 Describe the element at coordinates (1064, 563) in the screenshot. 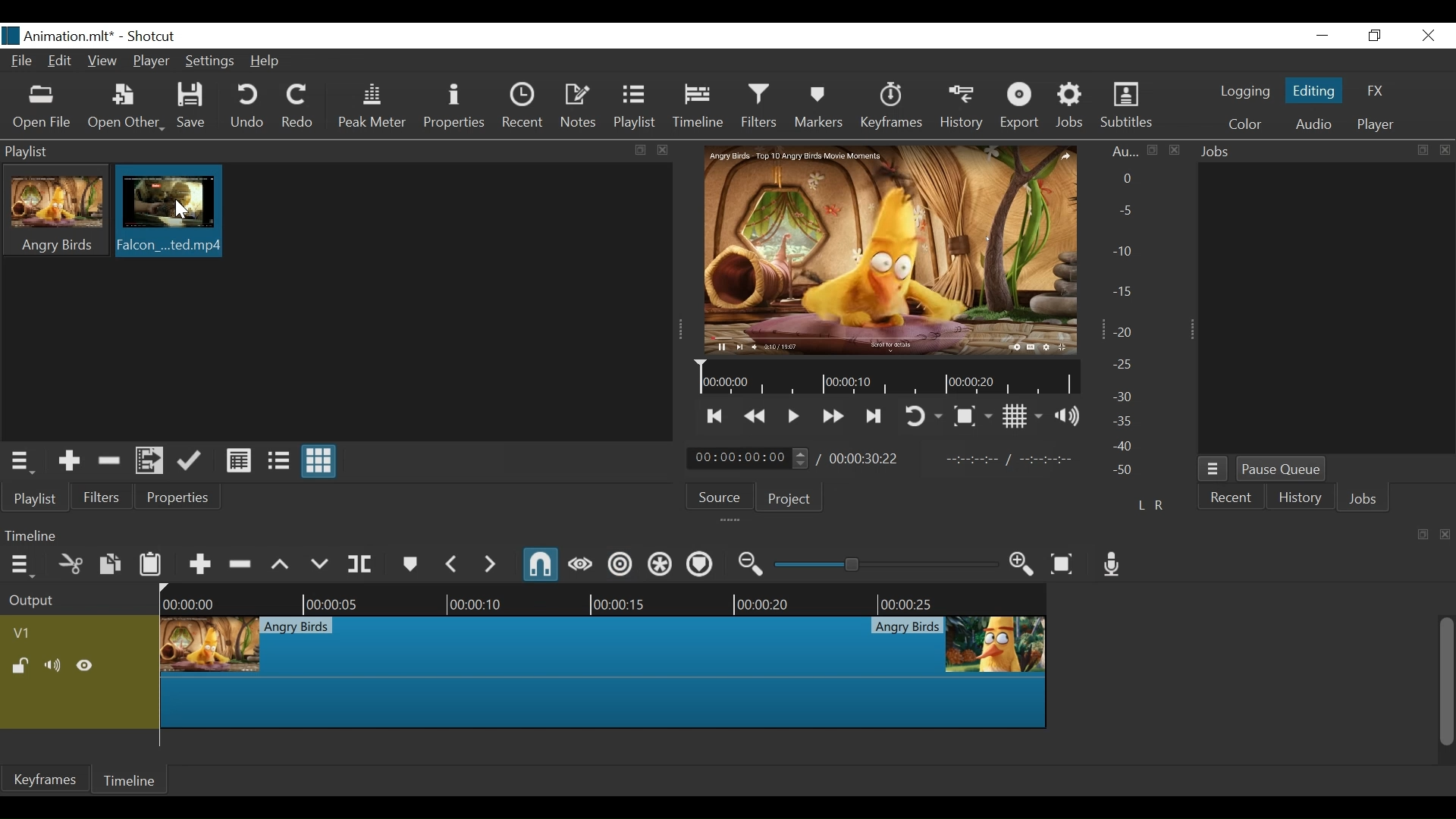

I see `Zoom timeline to fit` at that location.